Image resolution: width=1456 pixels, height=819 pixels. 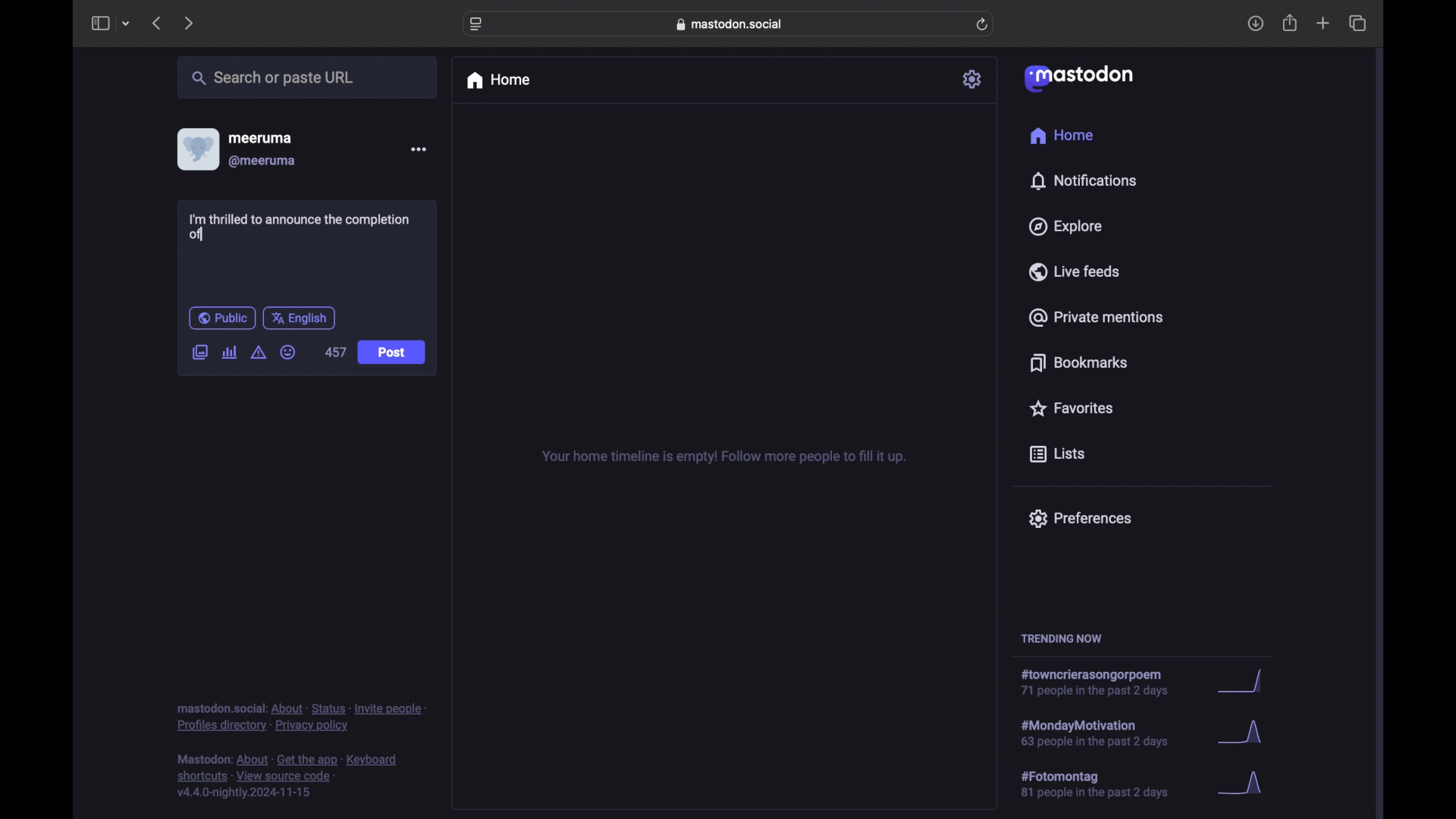 What do you see at coordinates (288, 352) in the screenshot?
I see `emoji` at bounding box center [288, 352].